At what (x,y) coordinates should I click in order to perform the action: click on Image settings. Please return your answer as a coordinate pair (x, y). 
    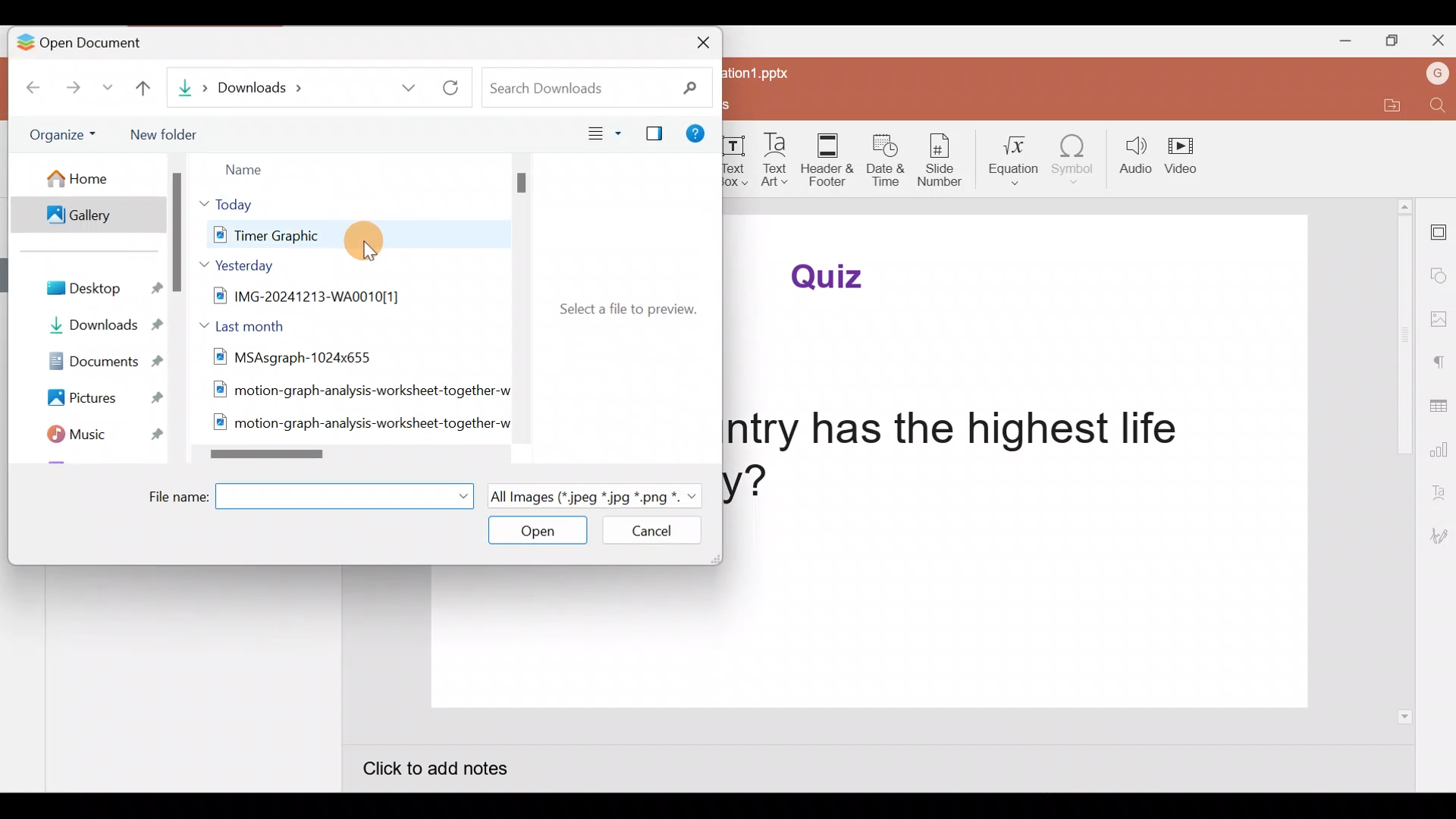
    Looking at the image, I should click on (1441, 321).